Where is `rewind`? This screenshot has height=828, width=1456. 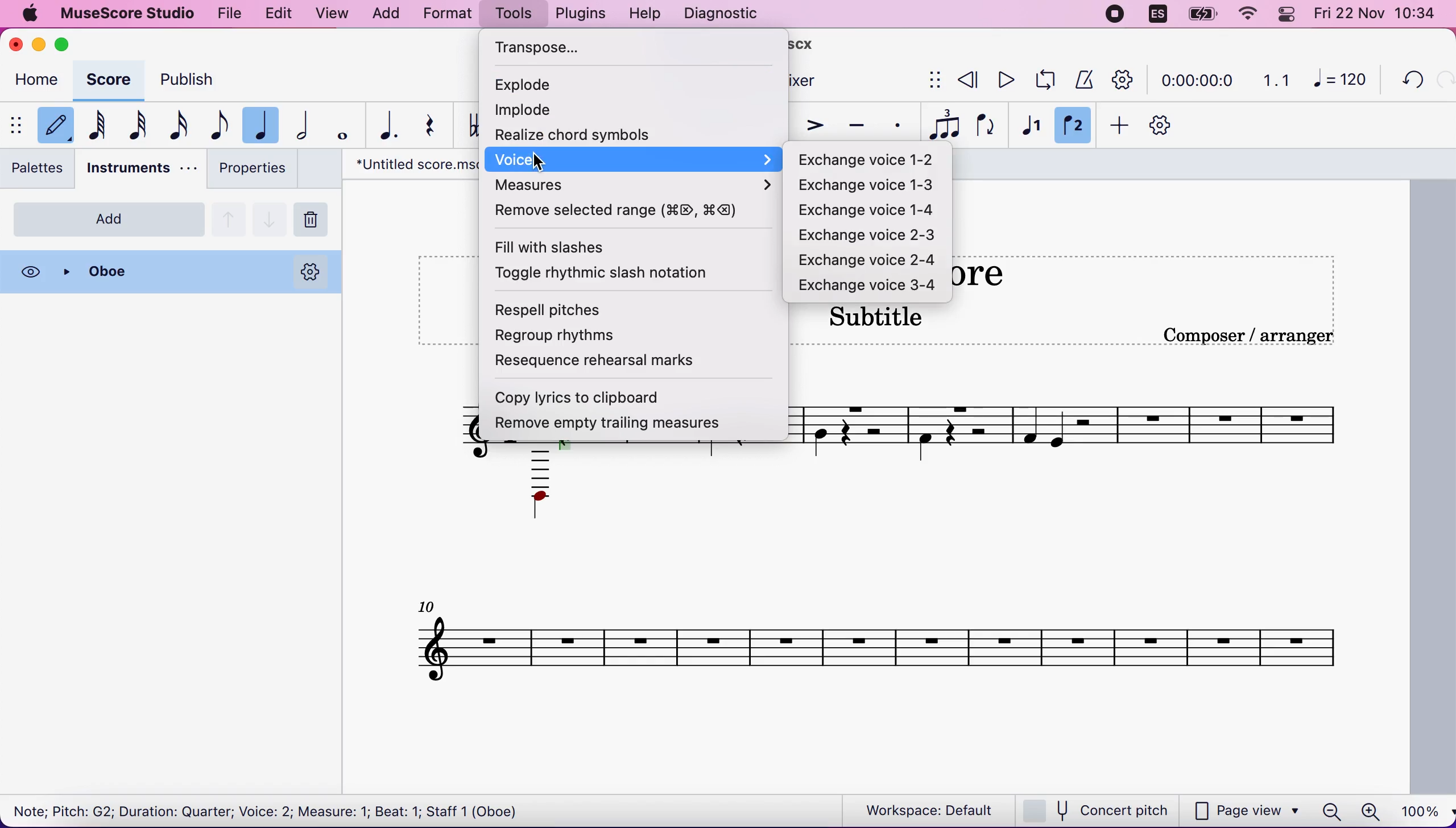
rewind is located at coordinates (966, 78).